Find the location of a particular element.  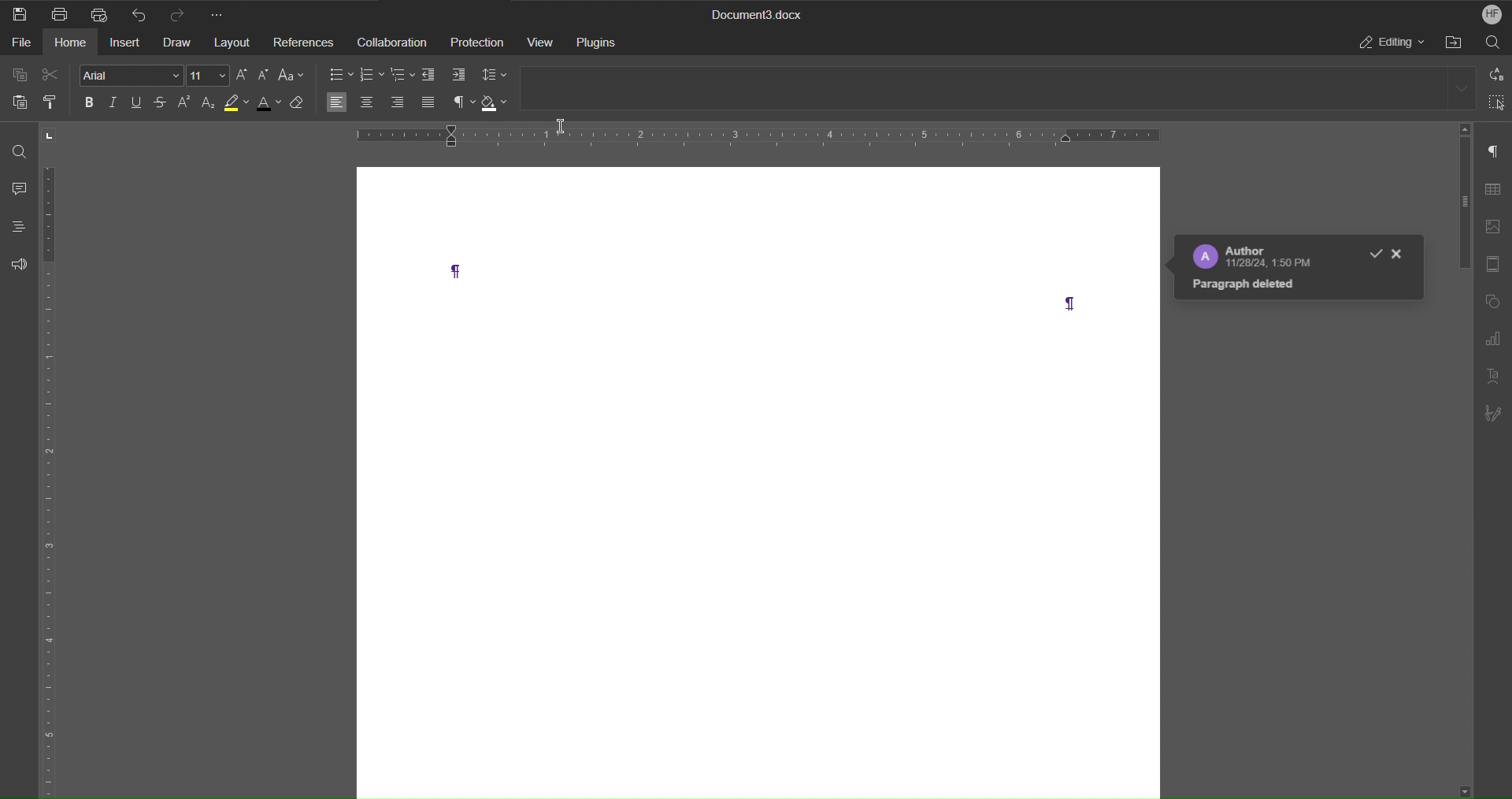

Feedback and Support is located at coordinates (17, 262).